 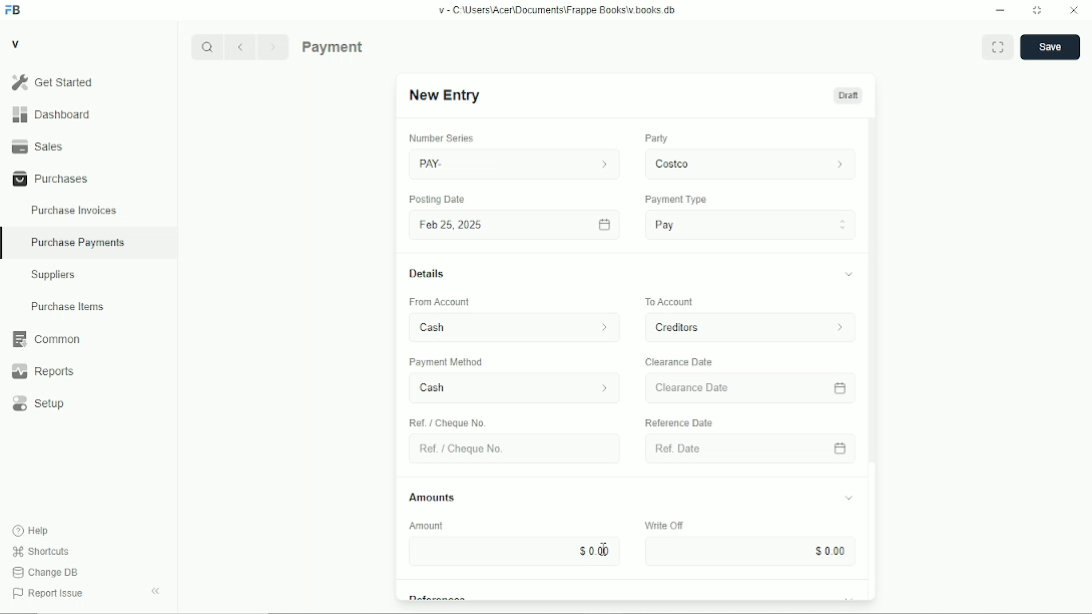 I want to click on Change dimension, so click(x=1037, y=10).